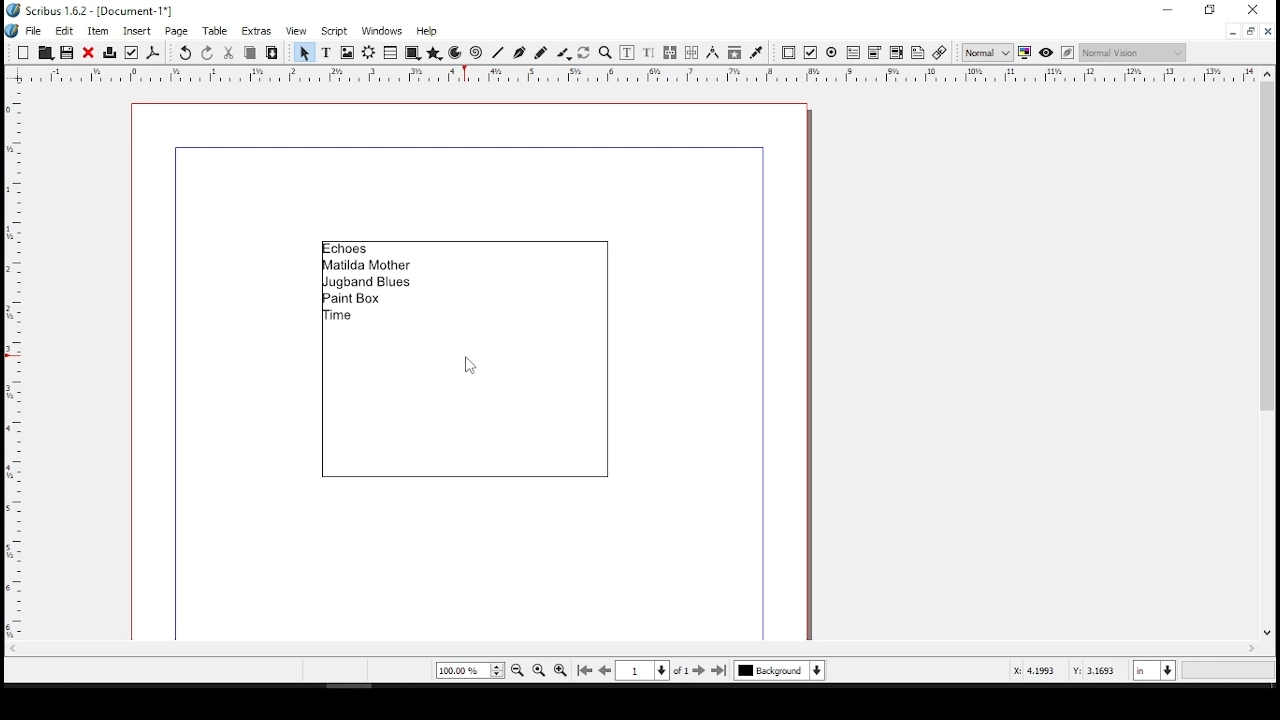 The height and width of the screenshot is (720, 1280). Describe the element at coordinates (186, 53) in the screenshot. I see `undo` at that location.